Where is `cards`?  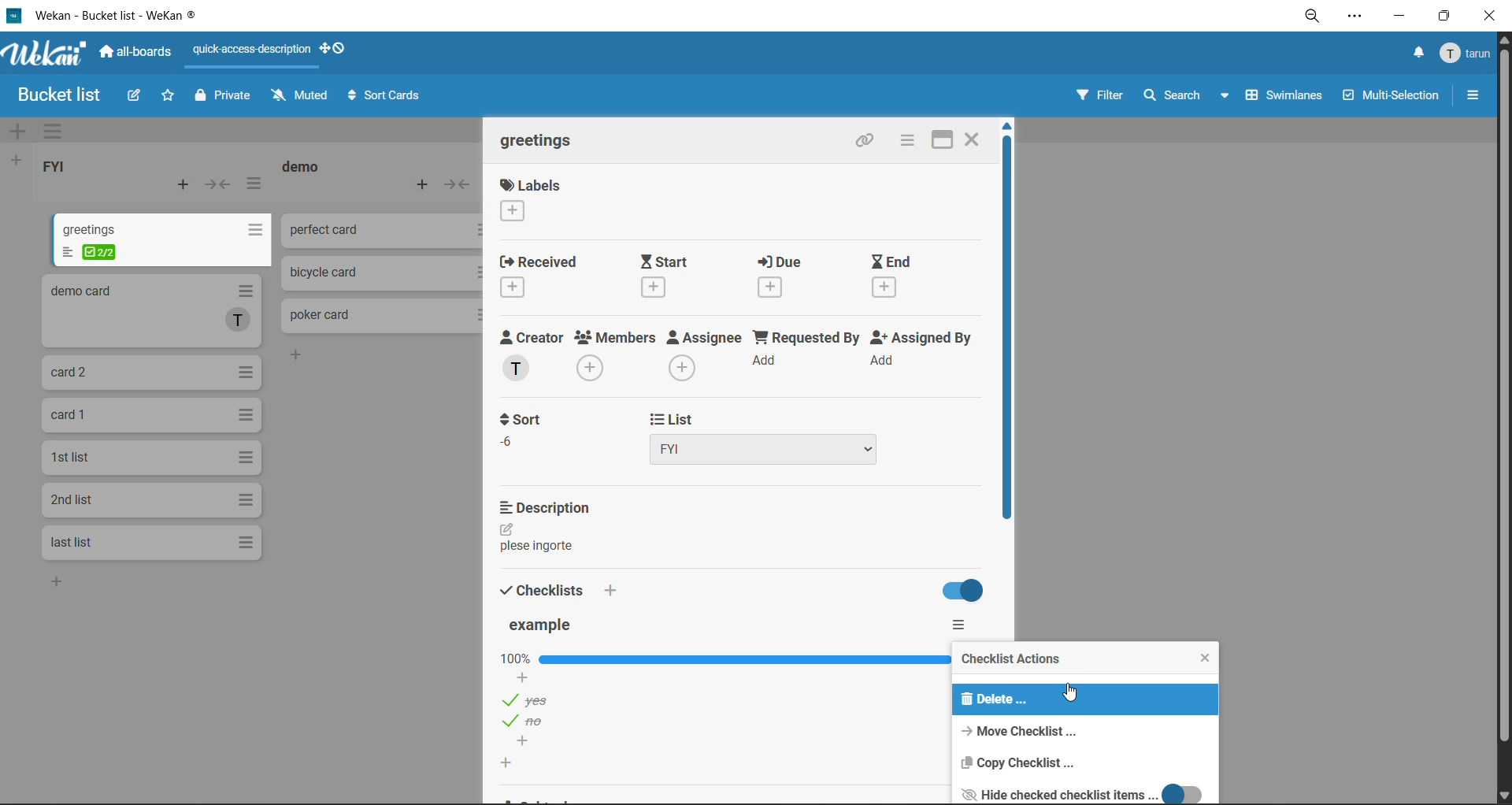
cards is located at coordinates (150, 501).